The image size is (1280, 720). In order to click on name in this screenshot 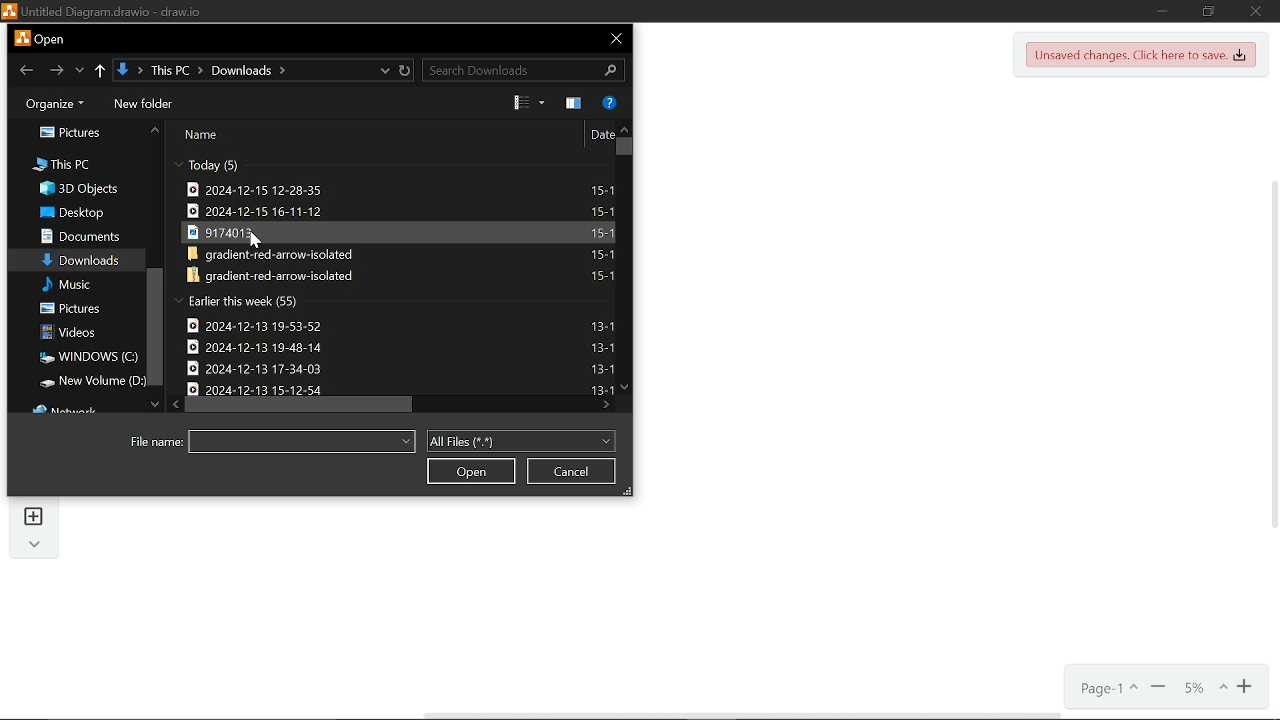, I will do `click(202, 135)`.